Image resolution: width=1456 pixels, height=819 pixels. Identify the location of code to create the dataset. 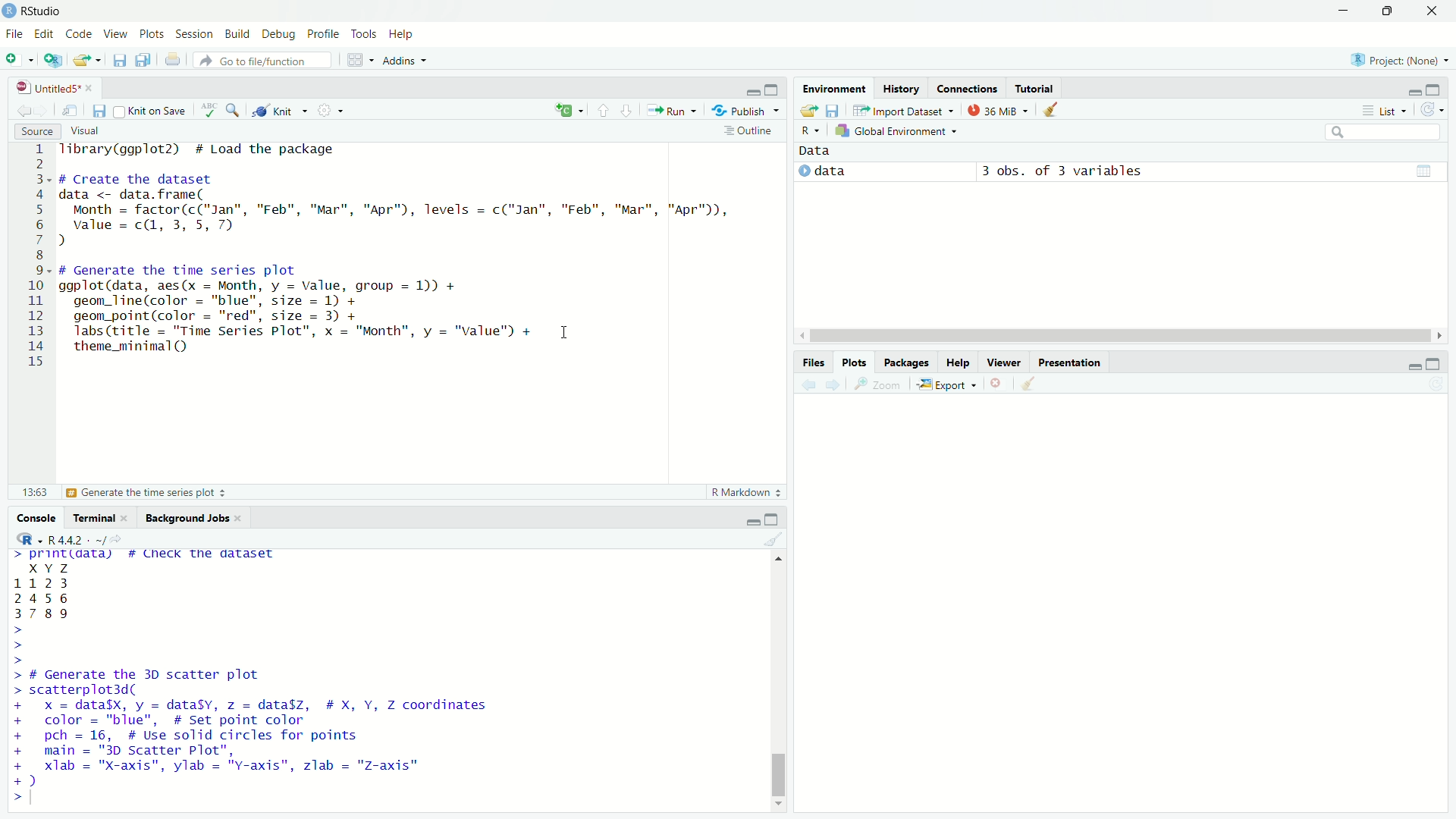
(400, 211).